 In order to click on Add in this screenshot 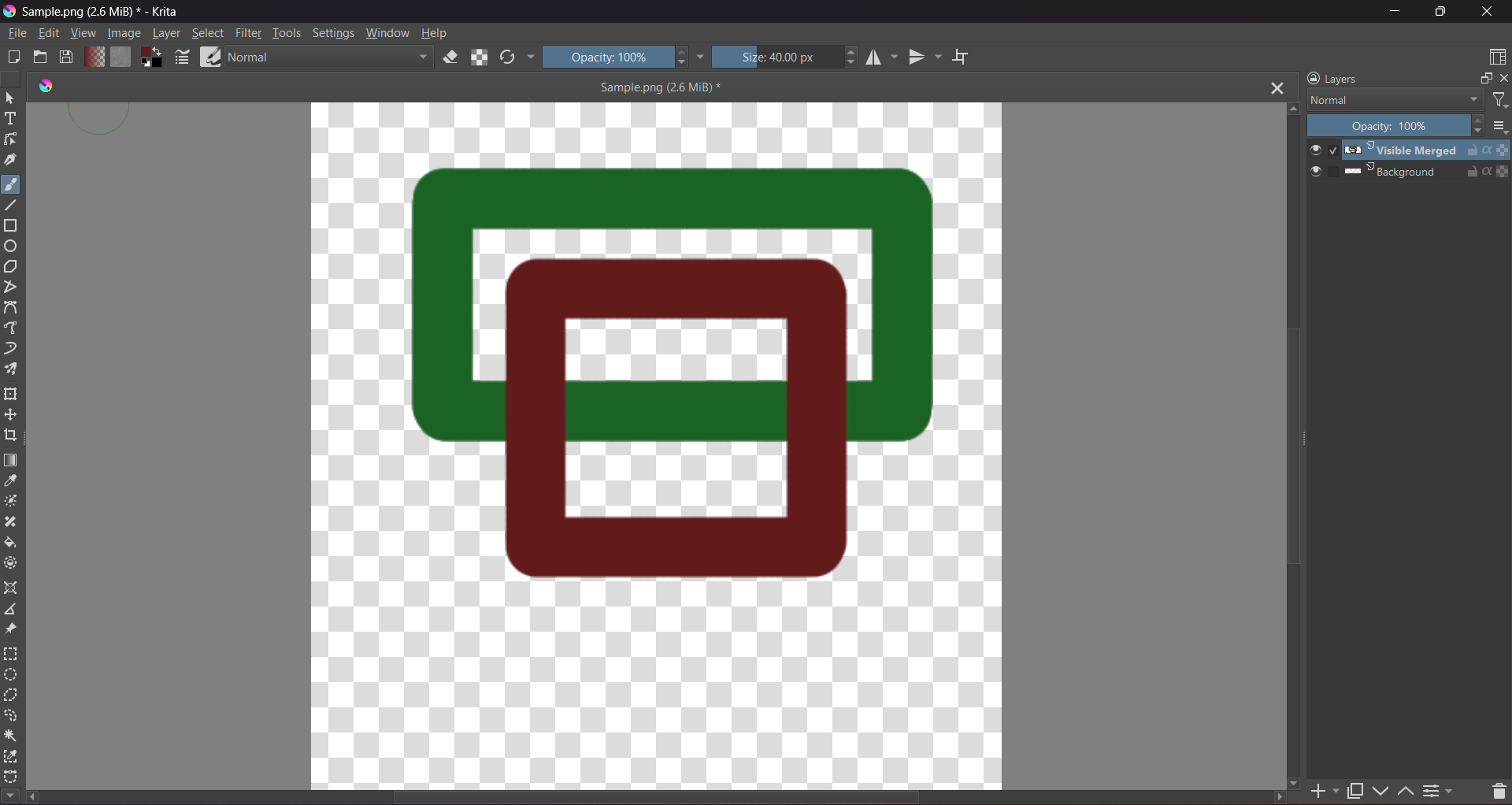, I will do `click(1326, 787)`.